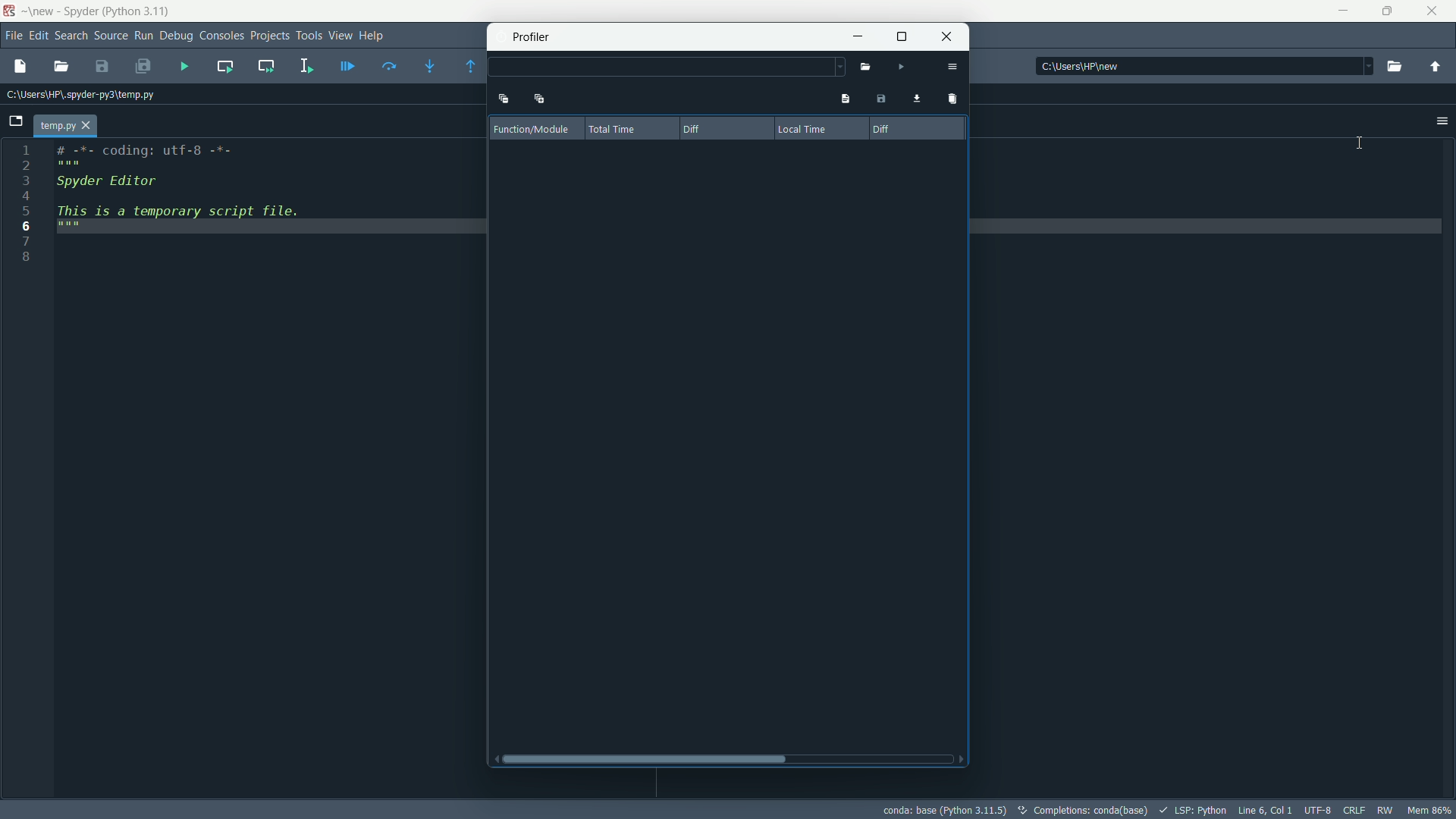  What do you see at coordinates (532, 37) in the screenshot?
I see `profiler` at bounding box center [532, 37].